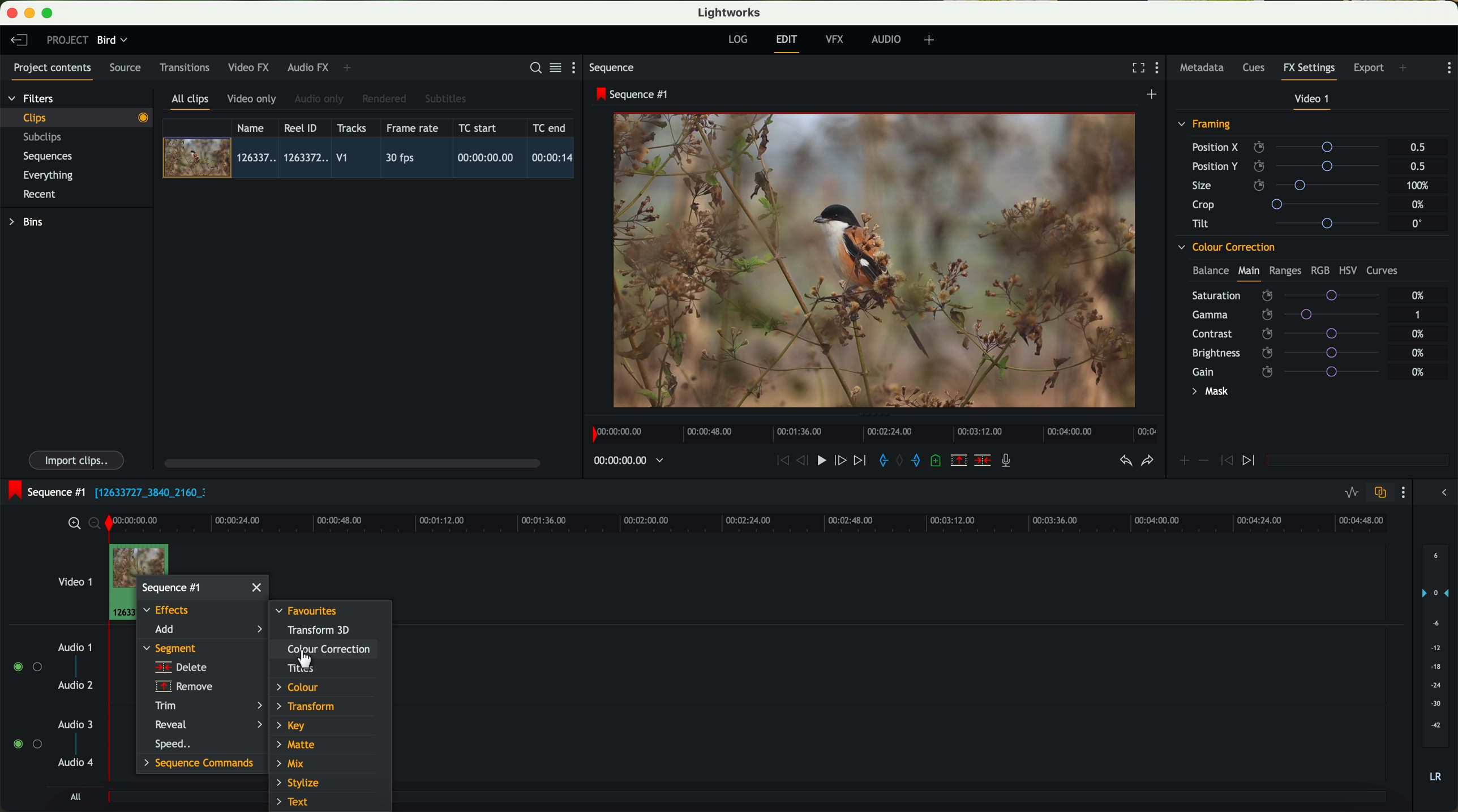  What do you see at coordinates (1289, 186) in the screenshot?
I see `size` at bounding box center [1289, 186].